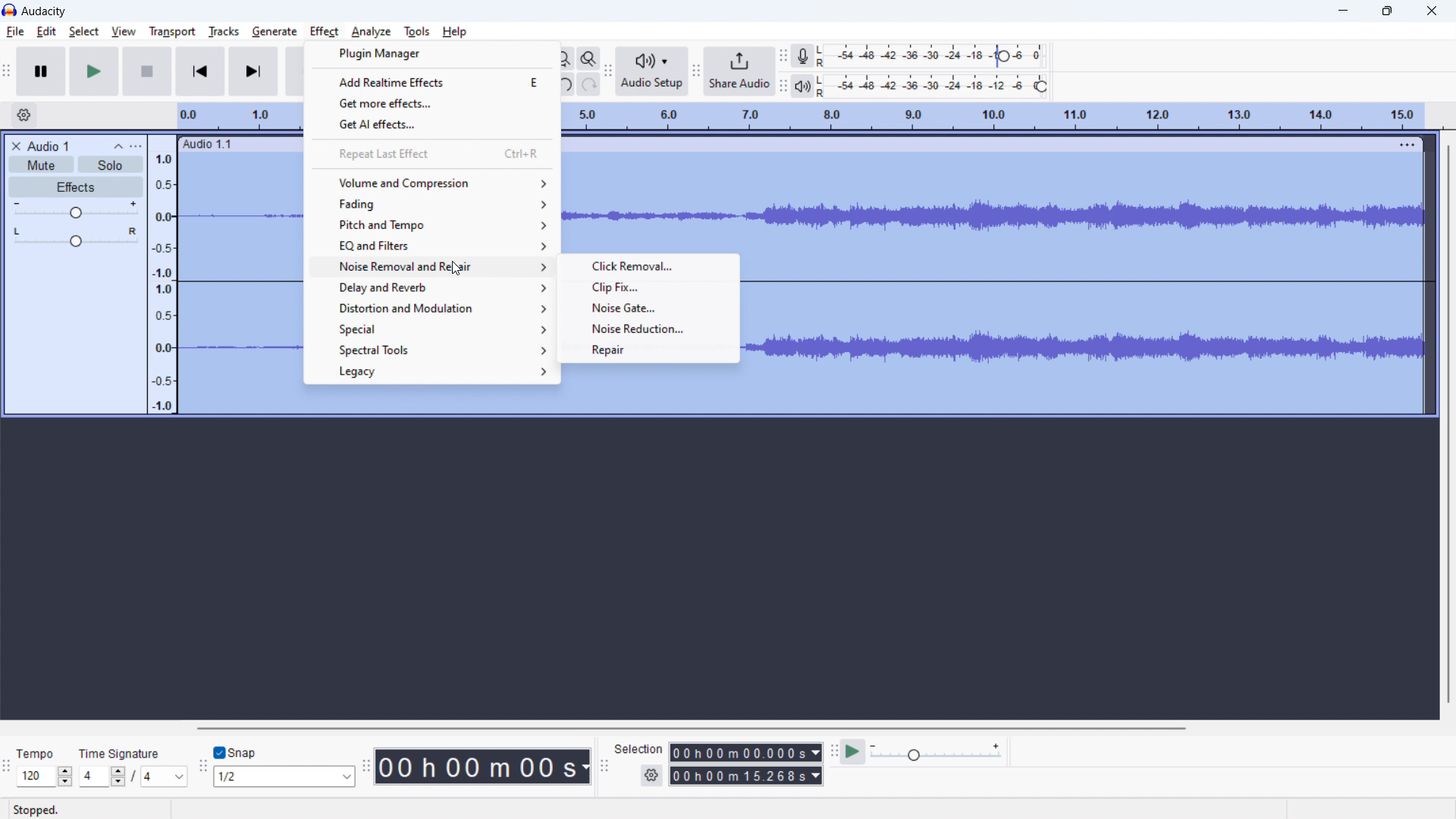  Describe the element at coordinates (431, 183) in the screenshot. I see `volume and compression` at that location.